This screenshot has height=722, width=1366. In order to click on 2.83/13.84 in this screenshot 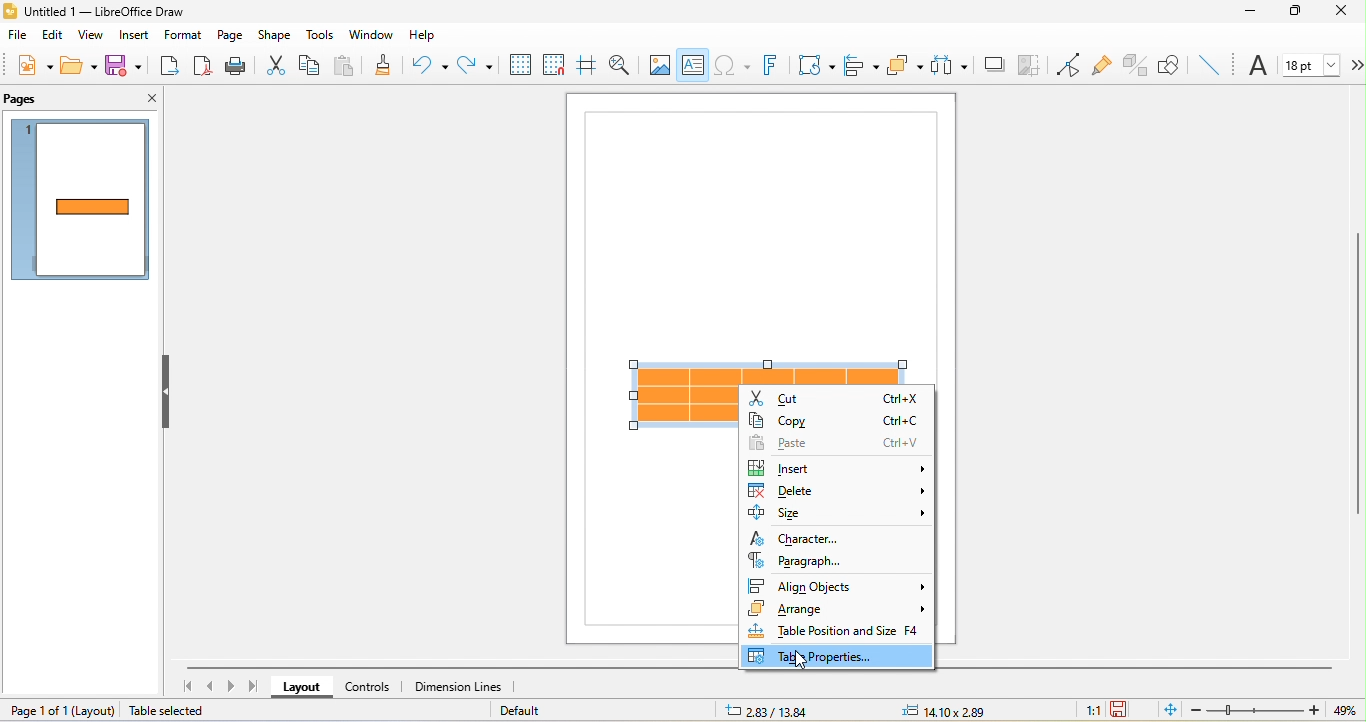, I will do `click(770, 711)`.